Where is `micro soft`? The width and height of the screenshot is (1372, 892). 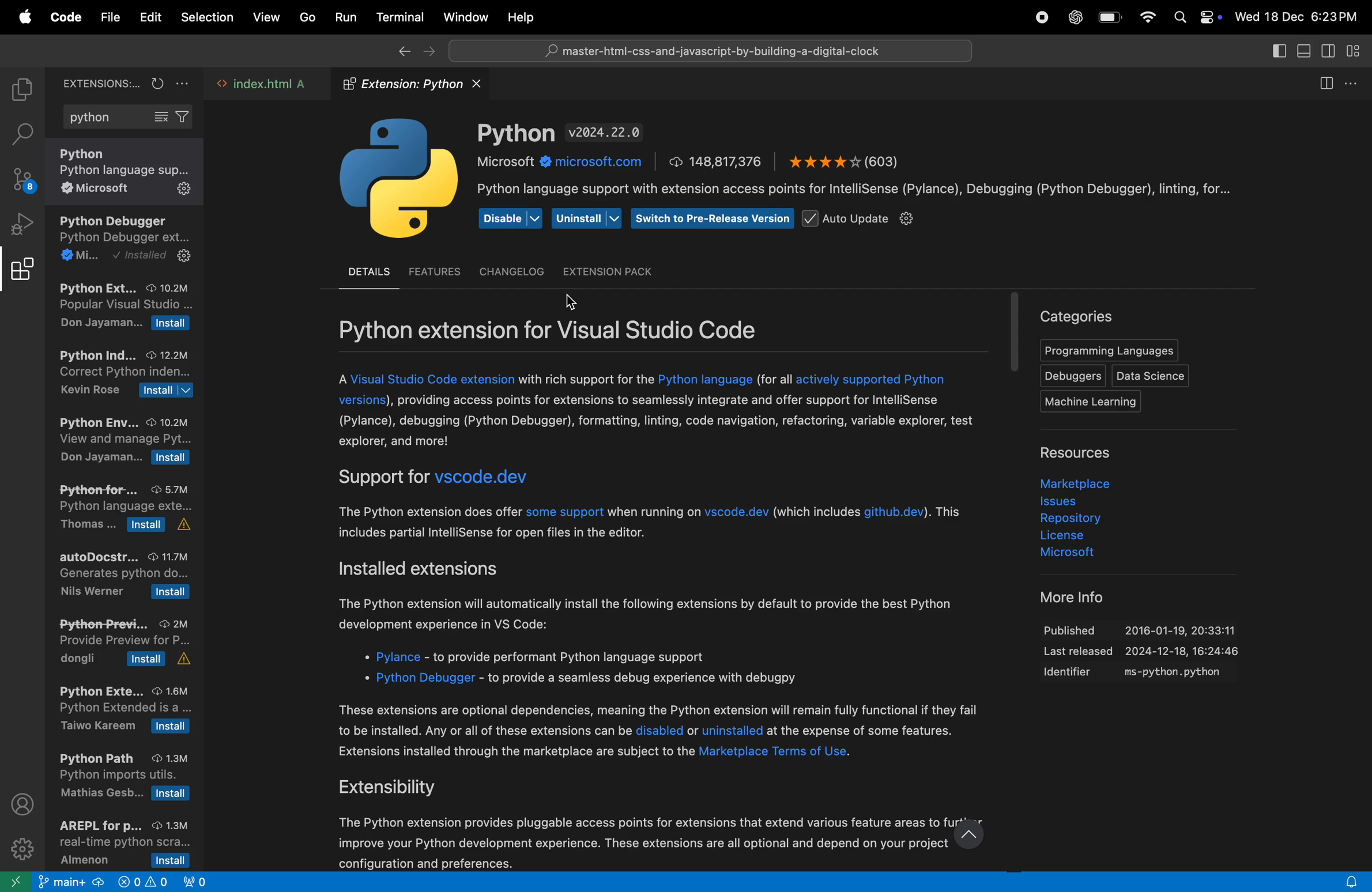
micro soft is located at coordinates (1057, 554).